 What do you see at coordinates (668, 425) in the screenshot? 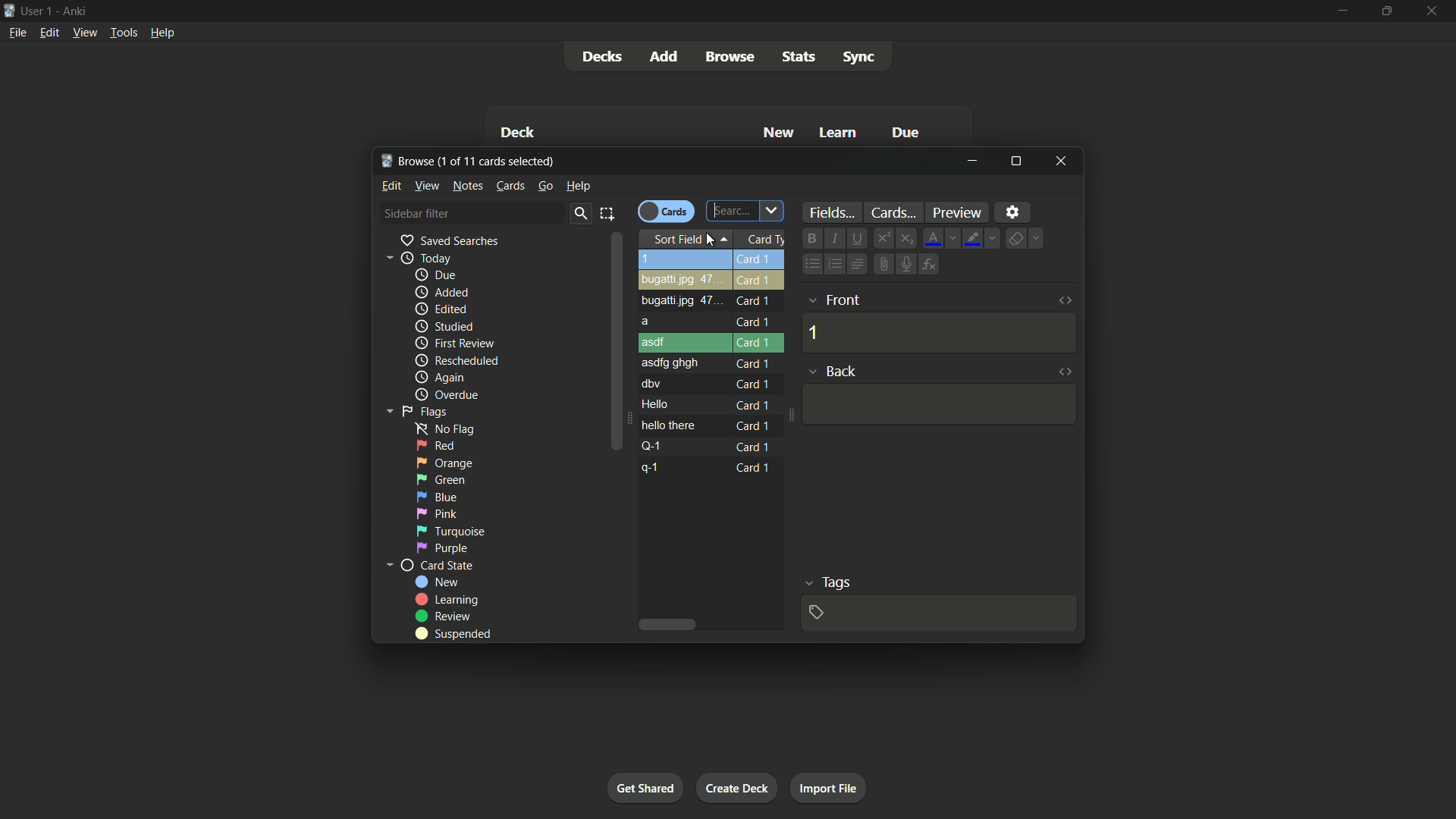
I see `hello there` at bounding box center [668, 425].